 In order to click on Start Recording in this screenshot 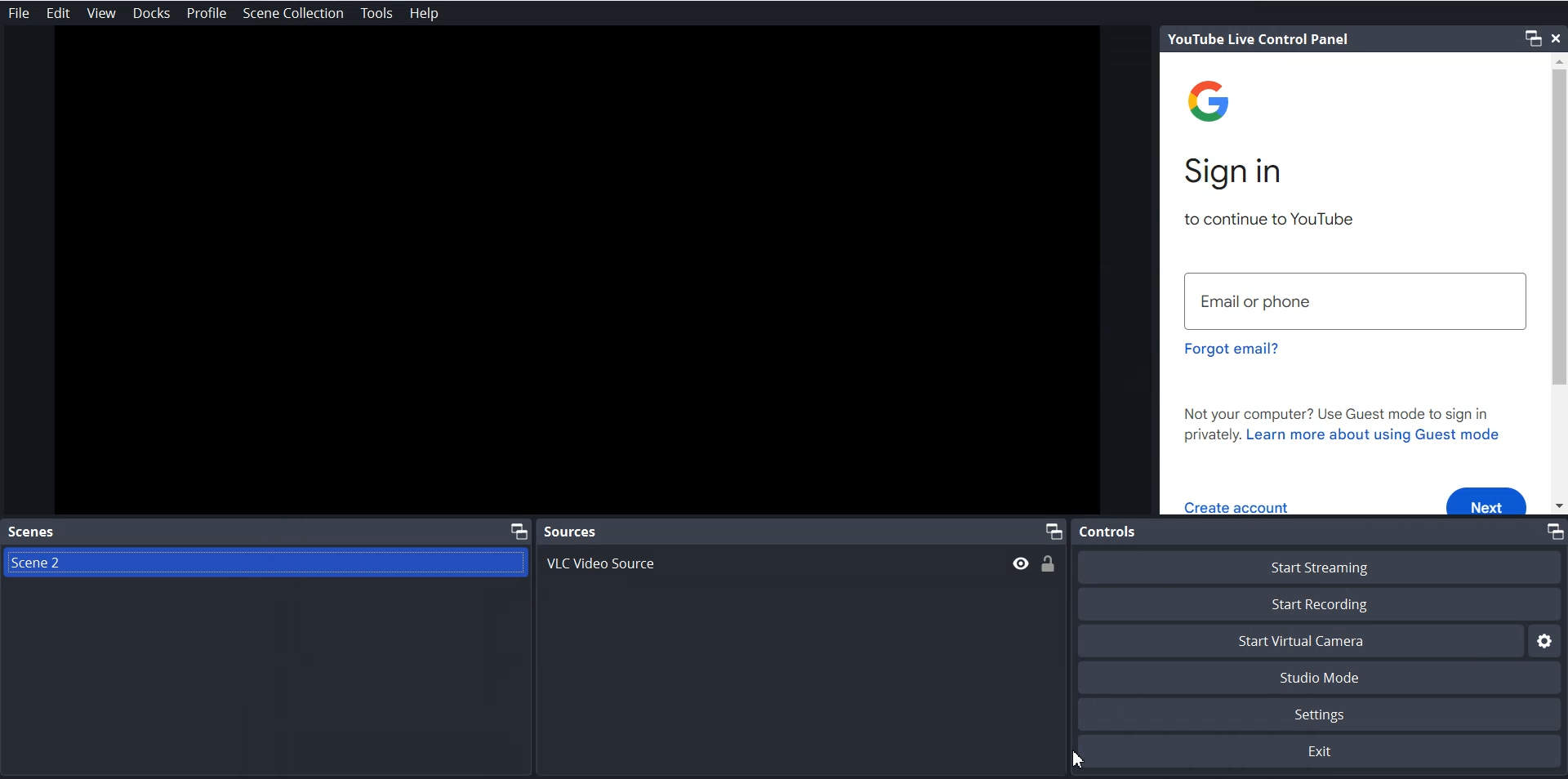, I will do `click(1322, 603)`.